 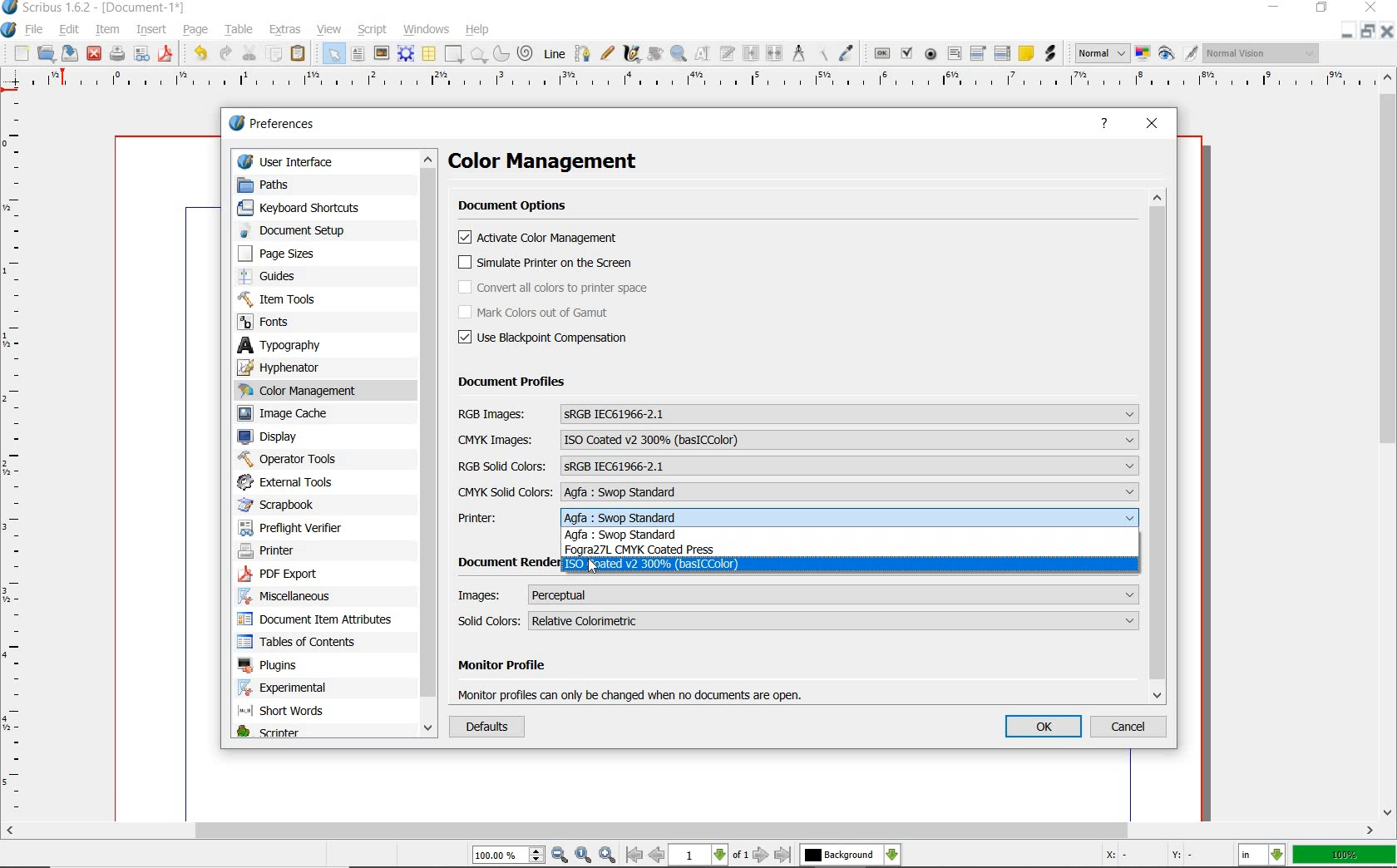 What do you see at coordinates (311, 598) in the screenshot?
I see `miscellaneous` at bounding box center [311, 598].